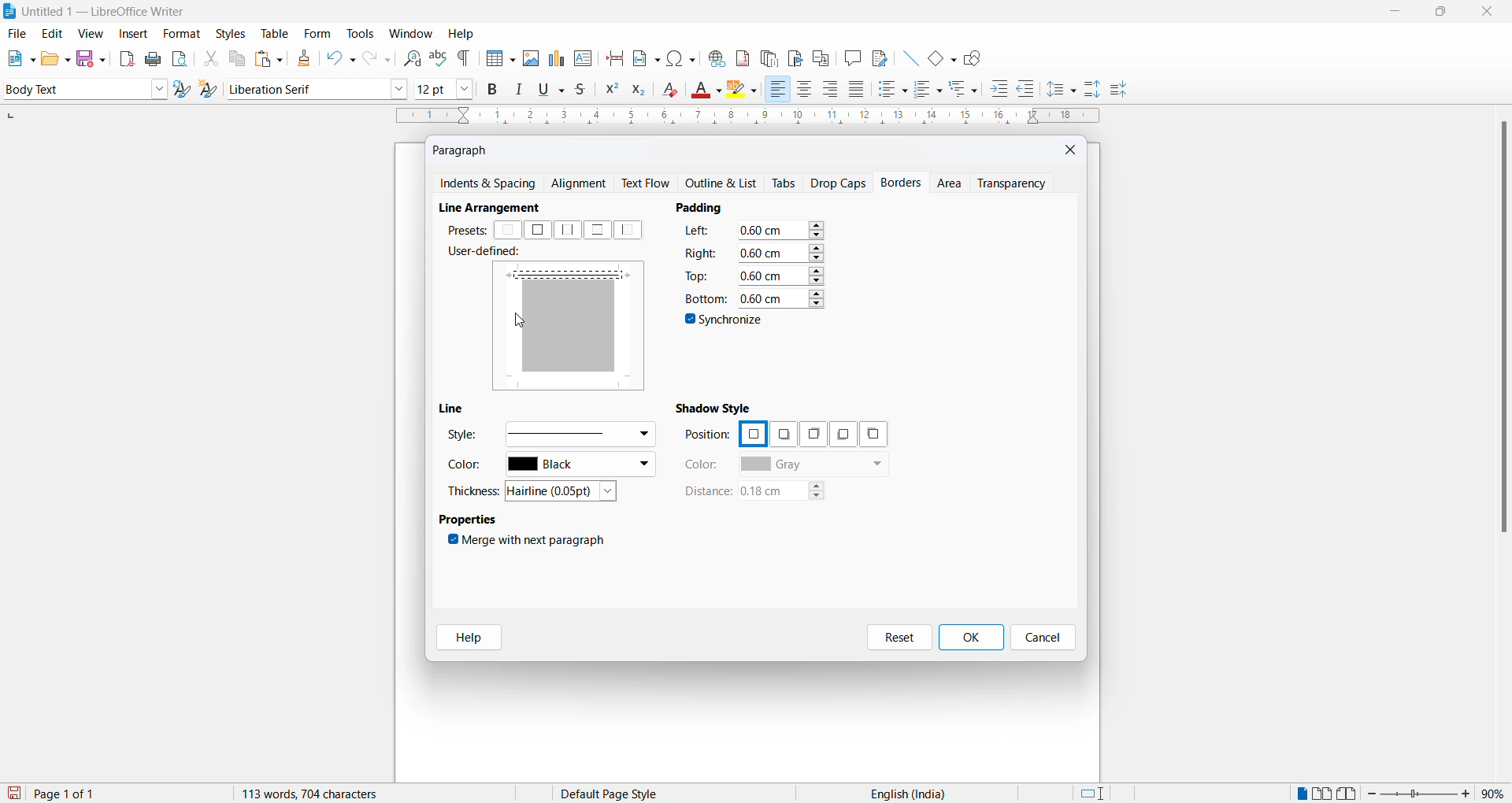 This screenshot has height=803, width=1512. I want to click on thickness options, so click(566, 492).